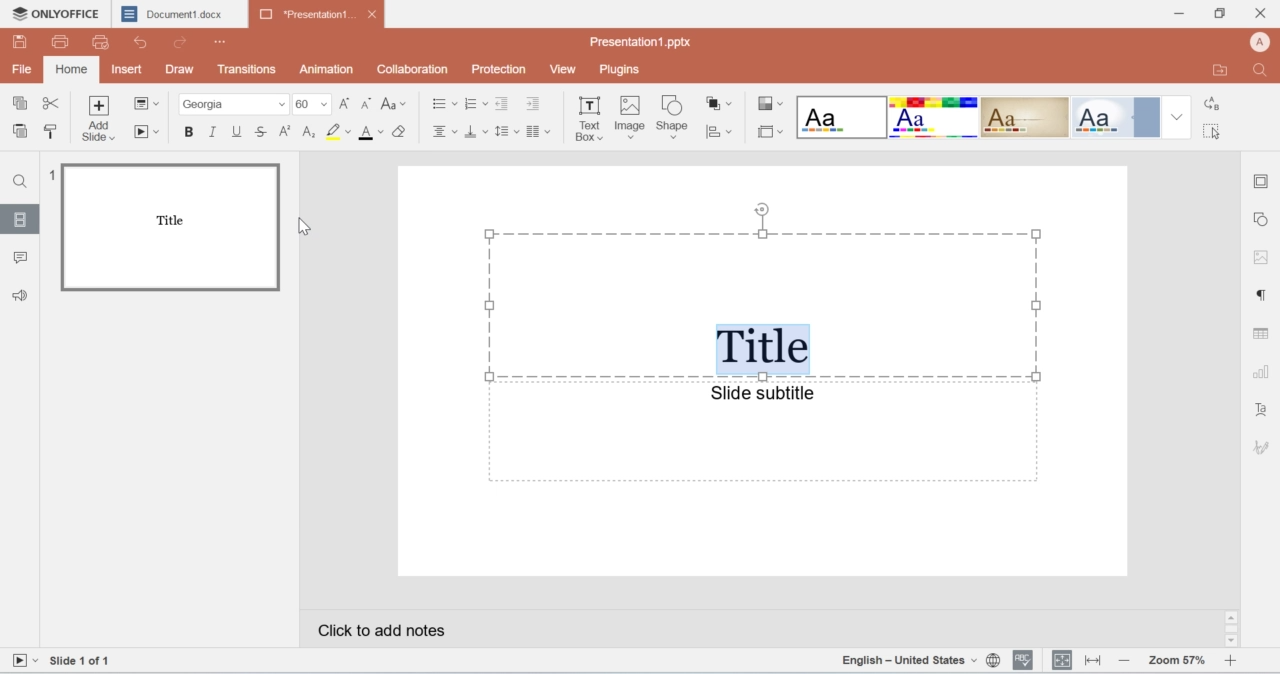  Describe the element at coordinates (149, 133) in the screenshot. I see `play` at that location.